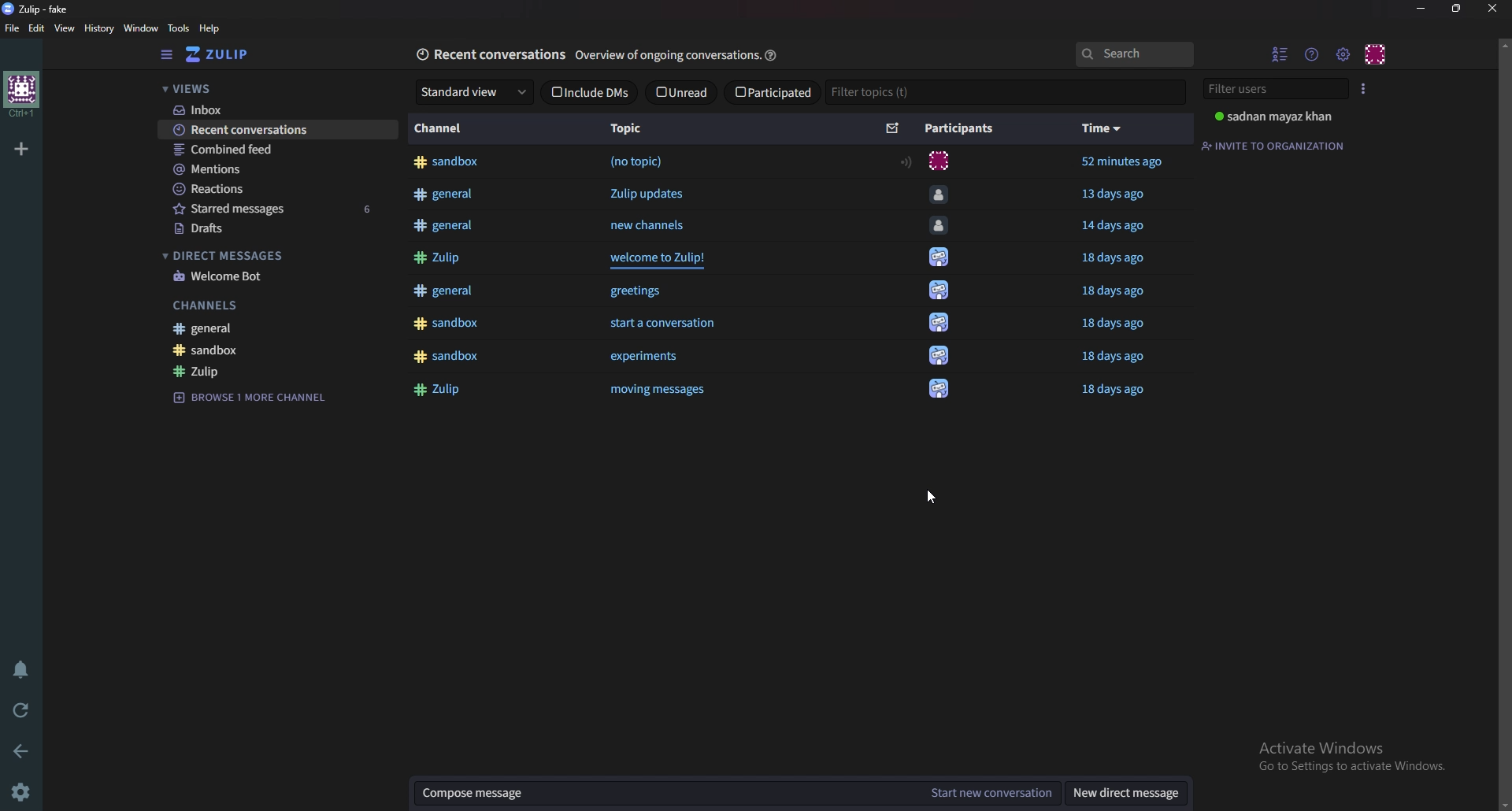  What do you see at coordinates (939, 355) in the screenshot?
I see `icon` at bounding box center [939, 355].